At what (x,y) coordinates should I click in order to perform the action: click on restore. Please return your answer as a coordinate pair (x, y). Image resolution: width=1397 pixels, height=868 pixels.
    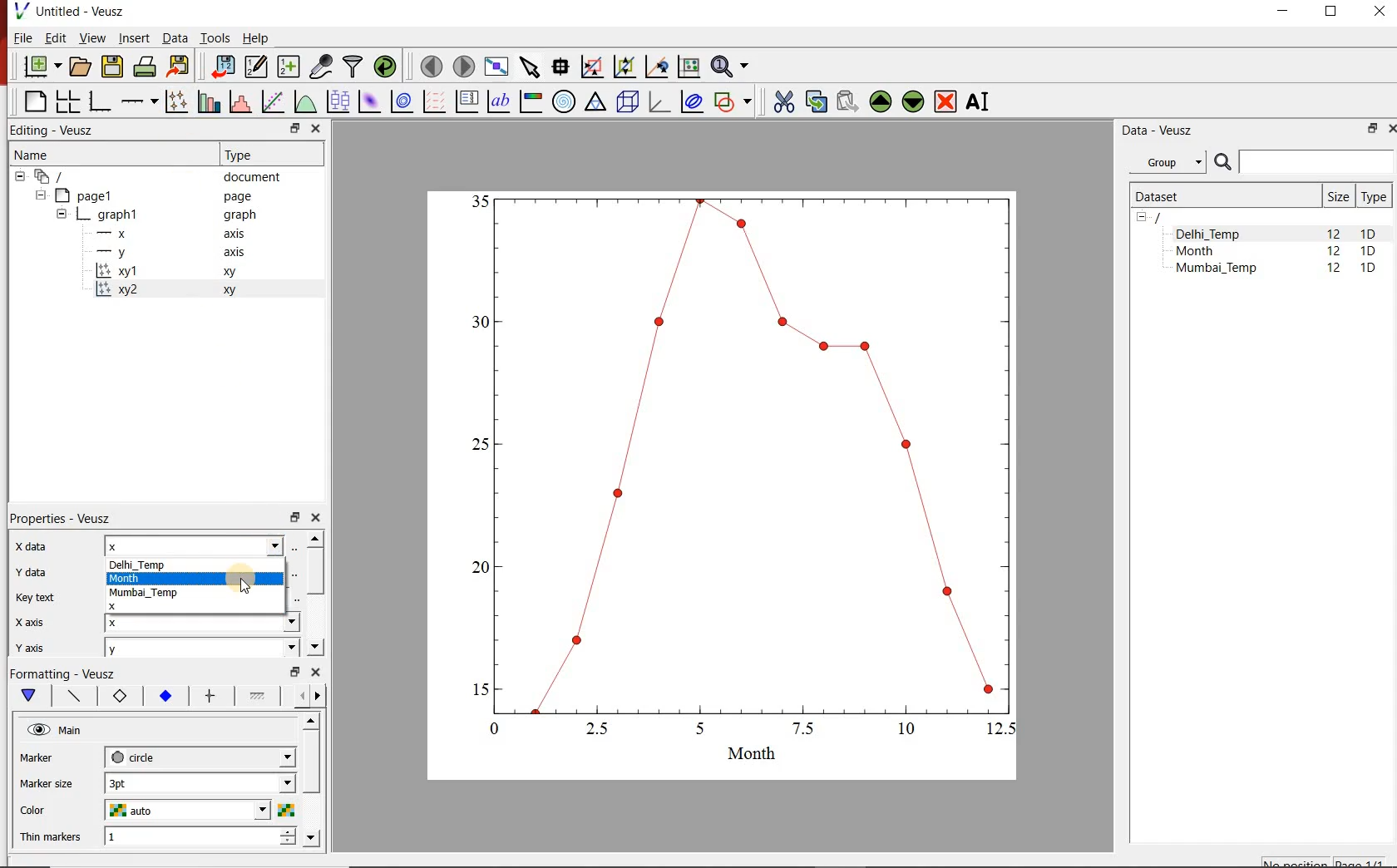
    Looking at the image, I should click on (294, 516).